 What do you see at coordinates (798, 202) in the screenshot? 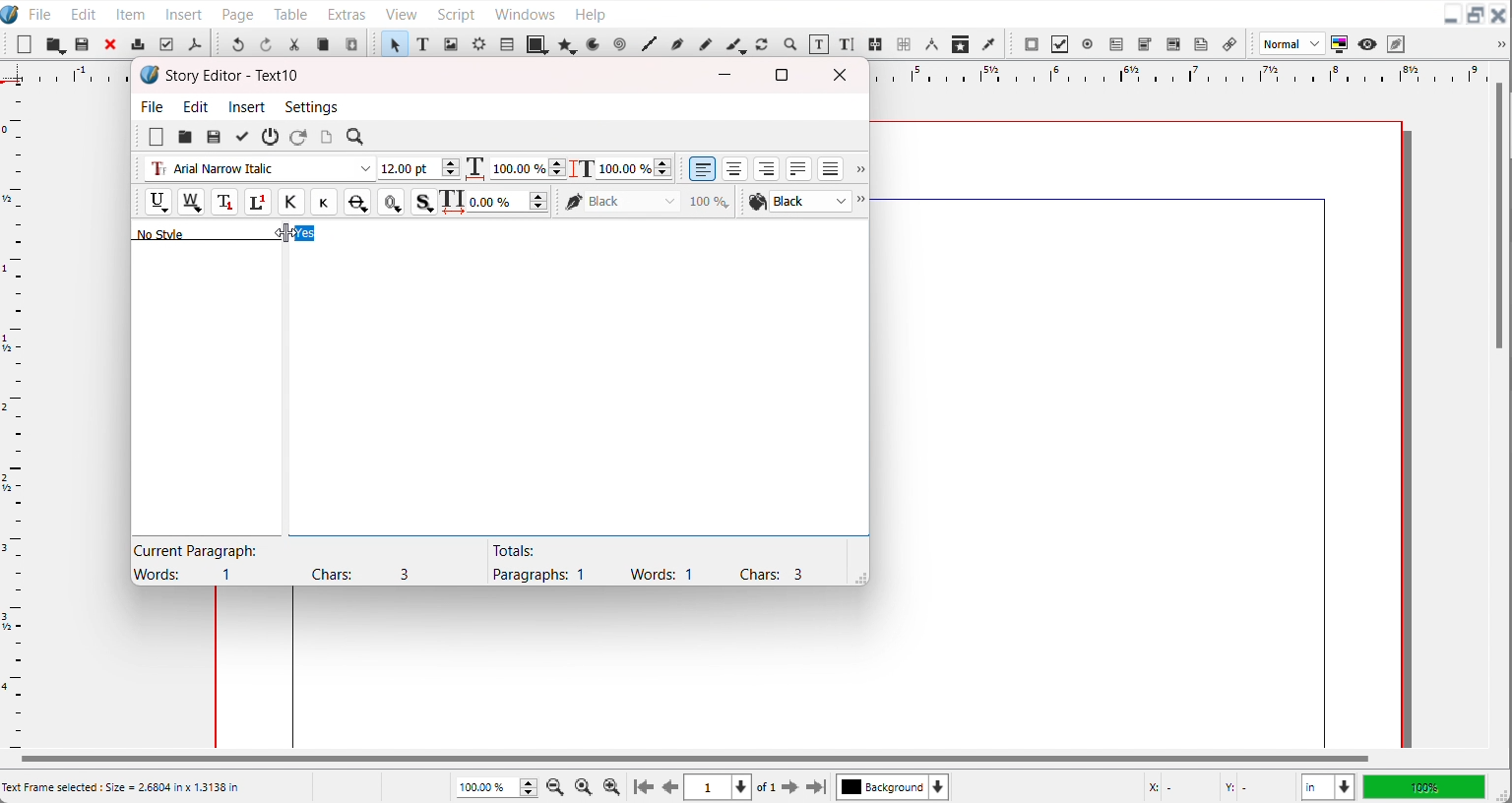
I see `Text Color` at bounding box center [798, 202].